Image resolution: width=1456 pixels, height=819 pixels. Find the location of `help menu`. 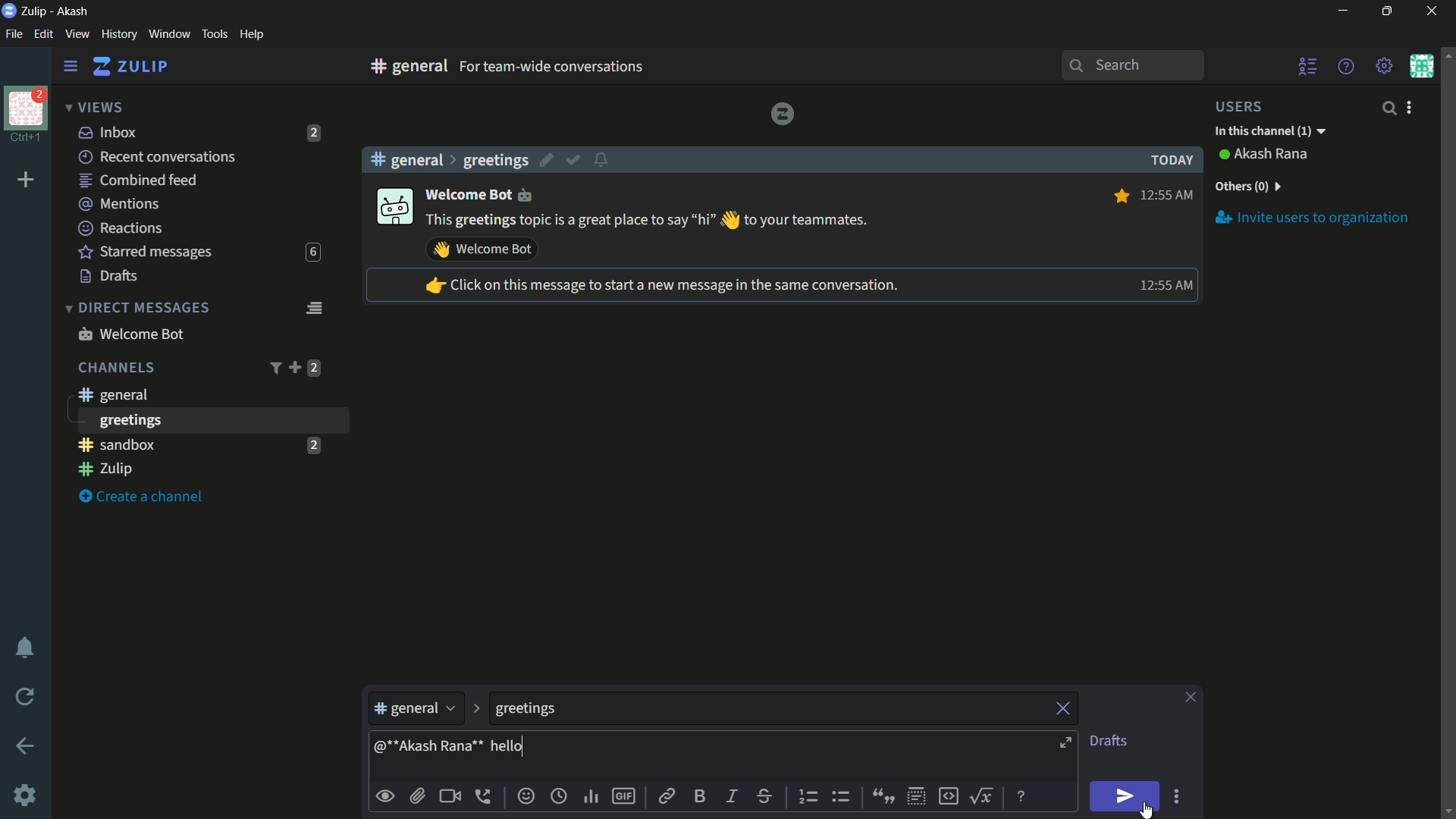

help menu is located at coordinates (1345, 66).